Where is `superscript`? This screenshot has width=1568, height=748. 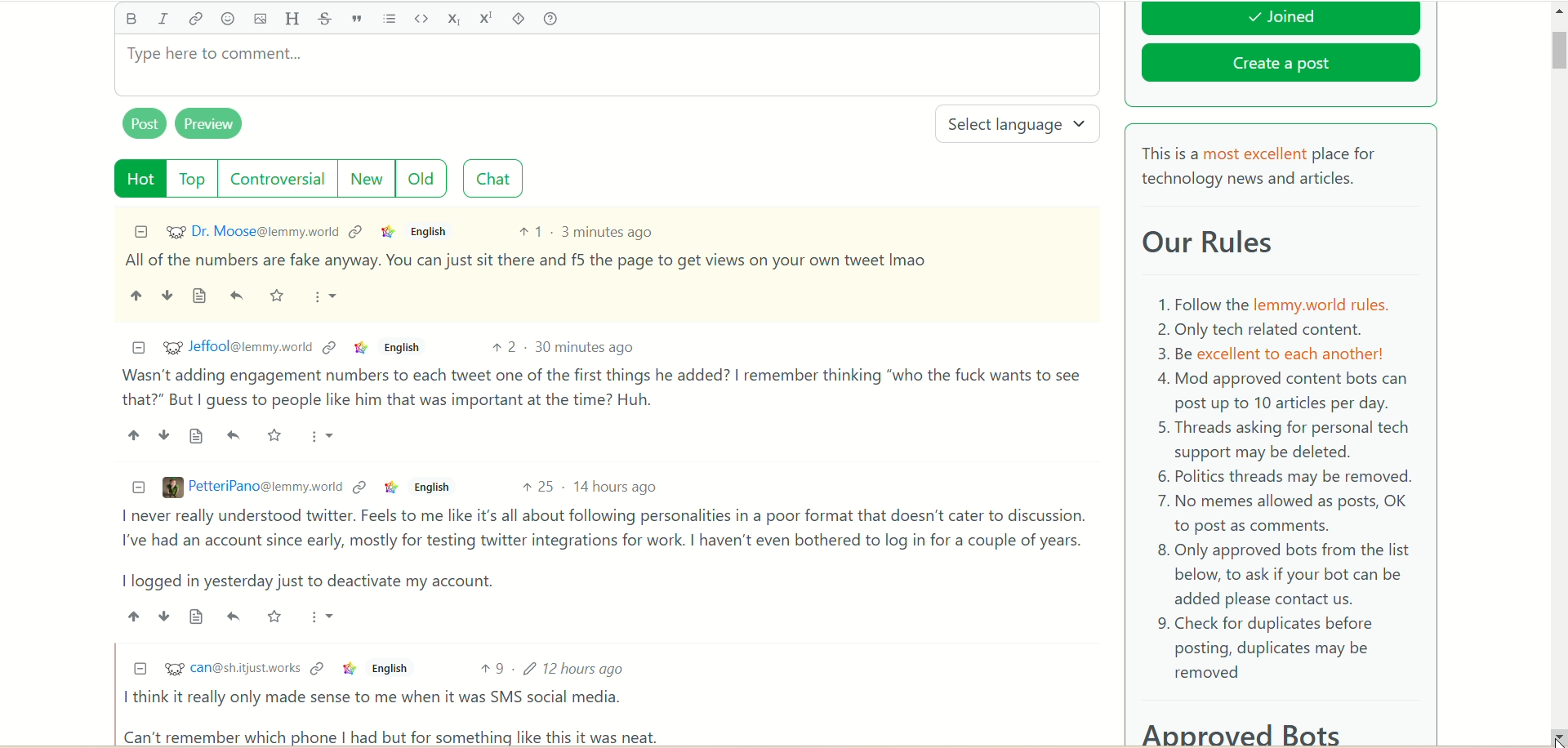
superscript is located at coordinates (488, 17).